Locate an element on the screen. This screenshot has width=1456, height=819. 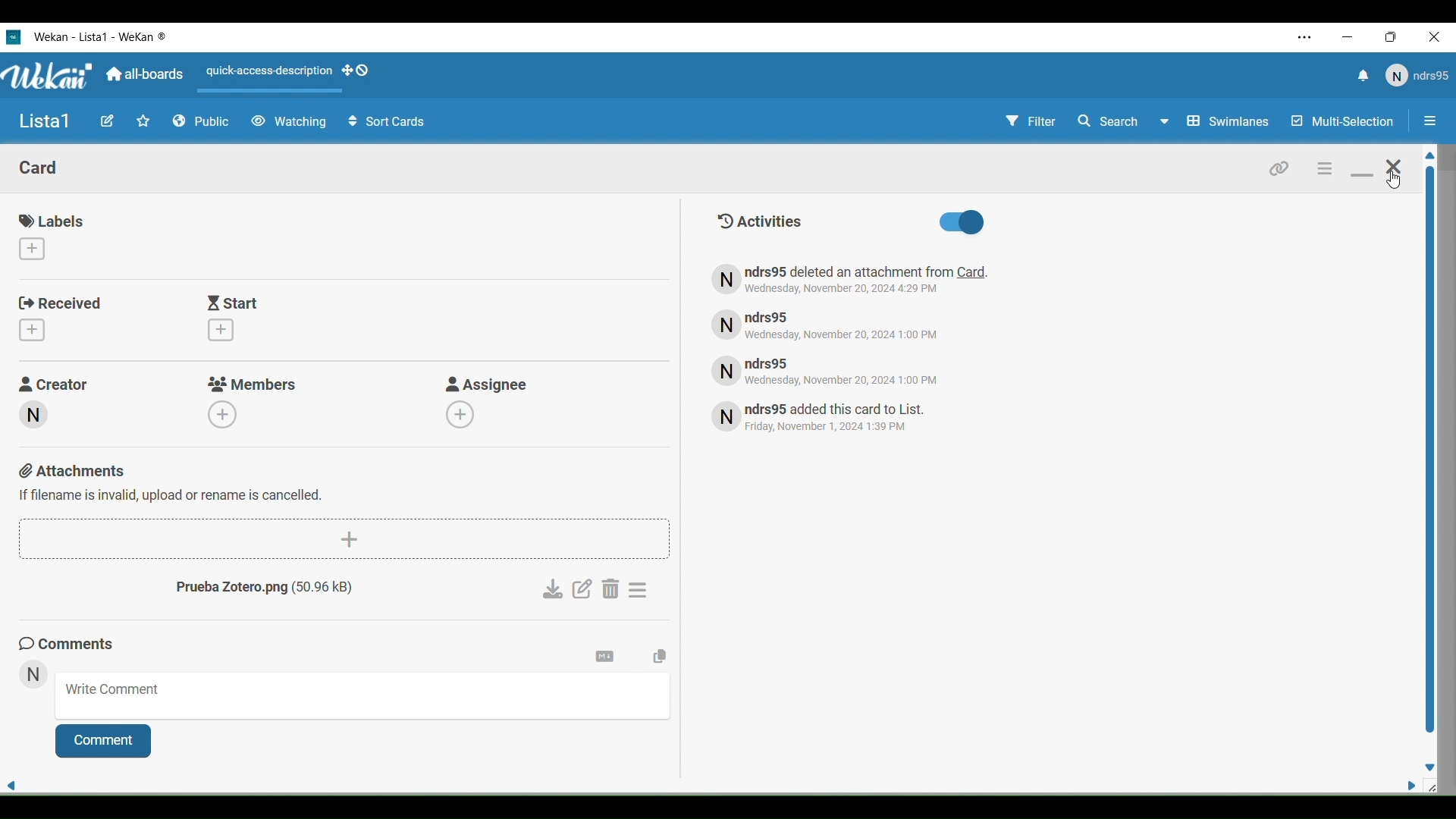
Text is located at coordinates (852, 280).